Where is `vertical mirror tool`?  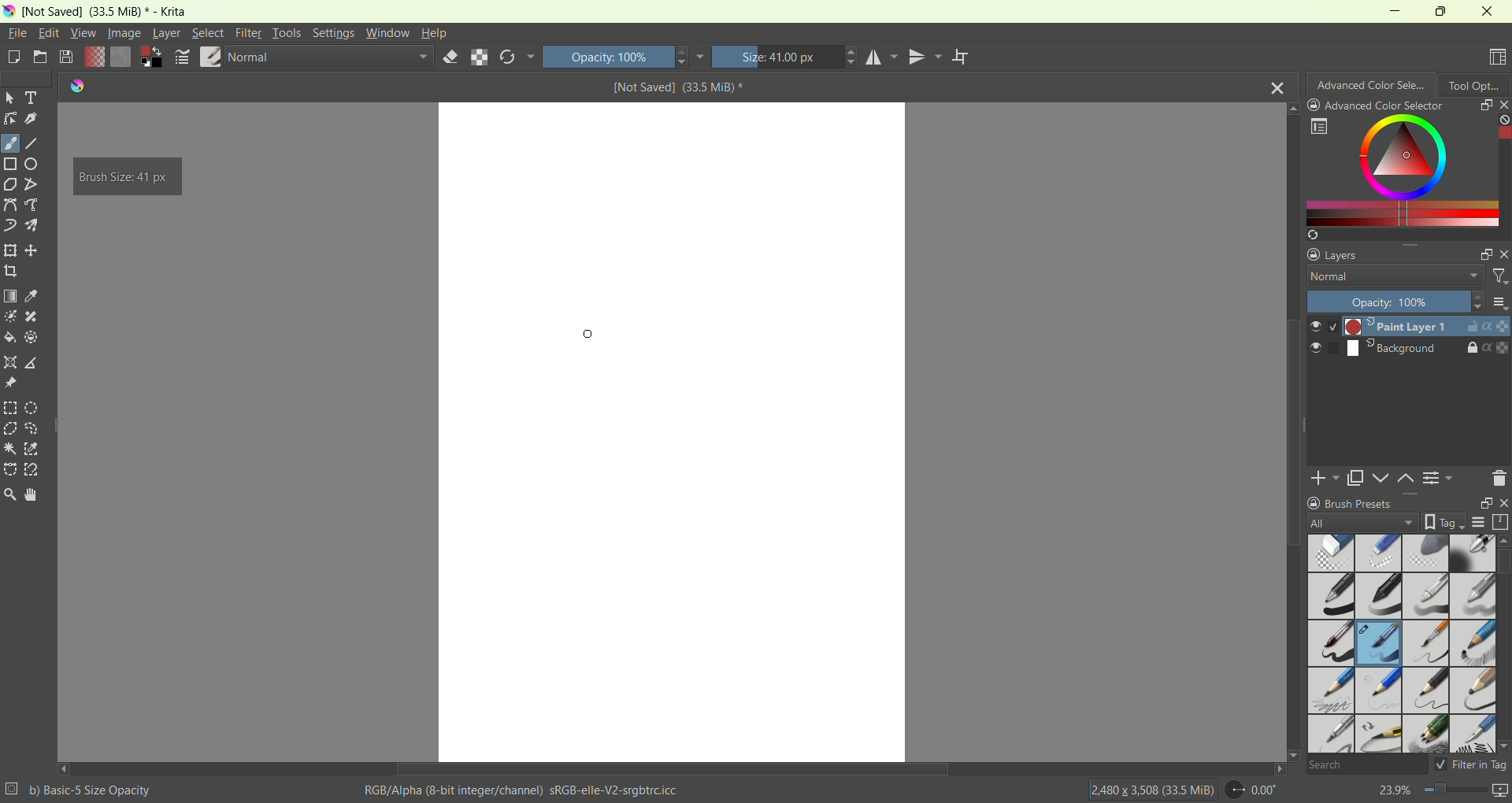 vertical mirror tool is located at coordinates (928, 57).